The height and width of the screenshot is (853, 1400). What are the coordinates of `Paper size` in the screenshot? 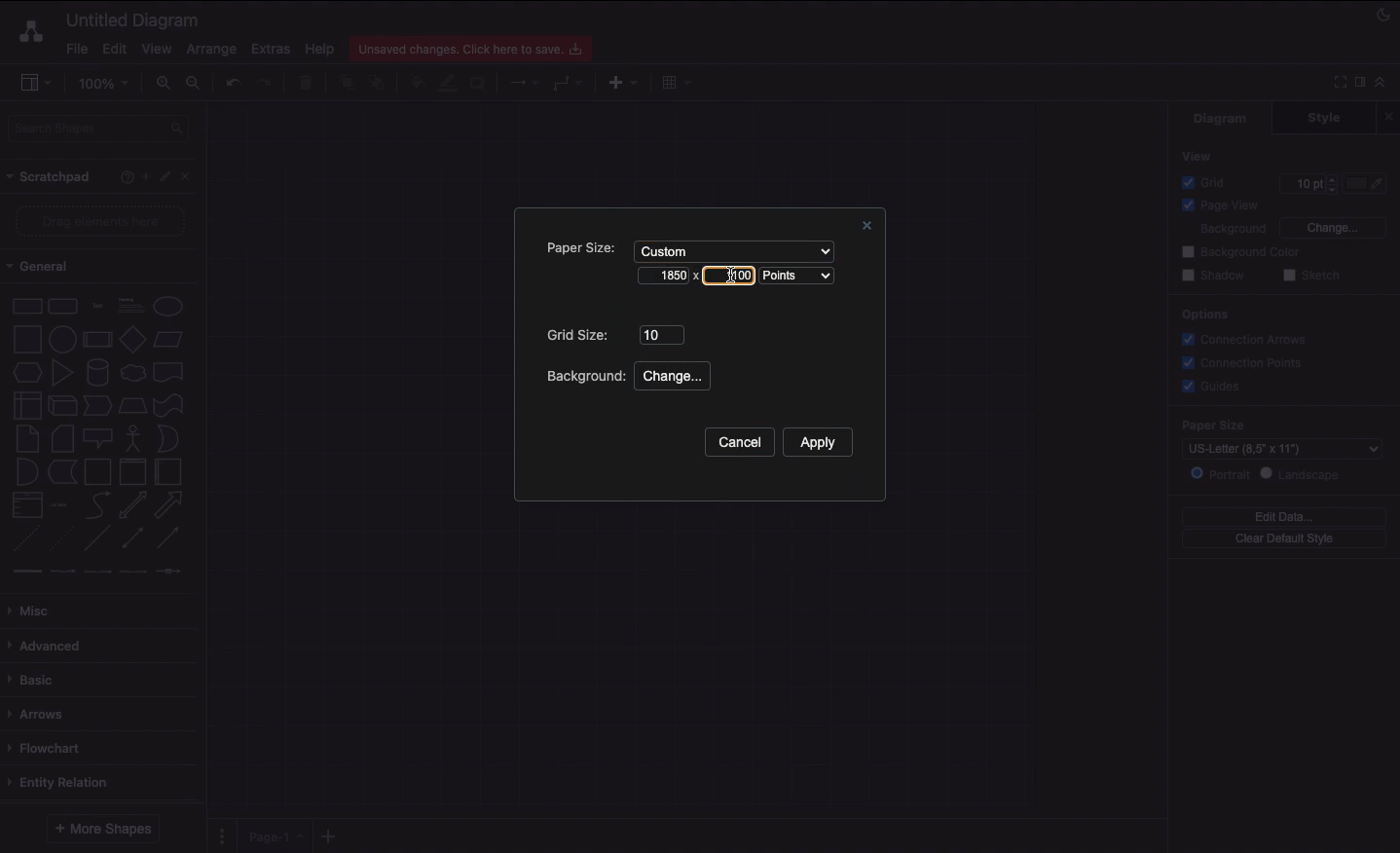 It's located at (1238, 426).